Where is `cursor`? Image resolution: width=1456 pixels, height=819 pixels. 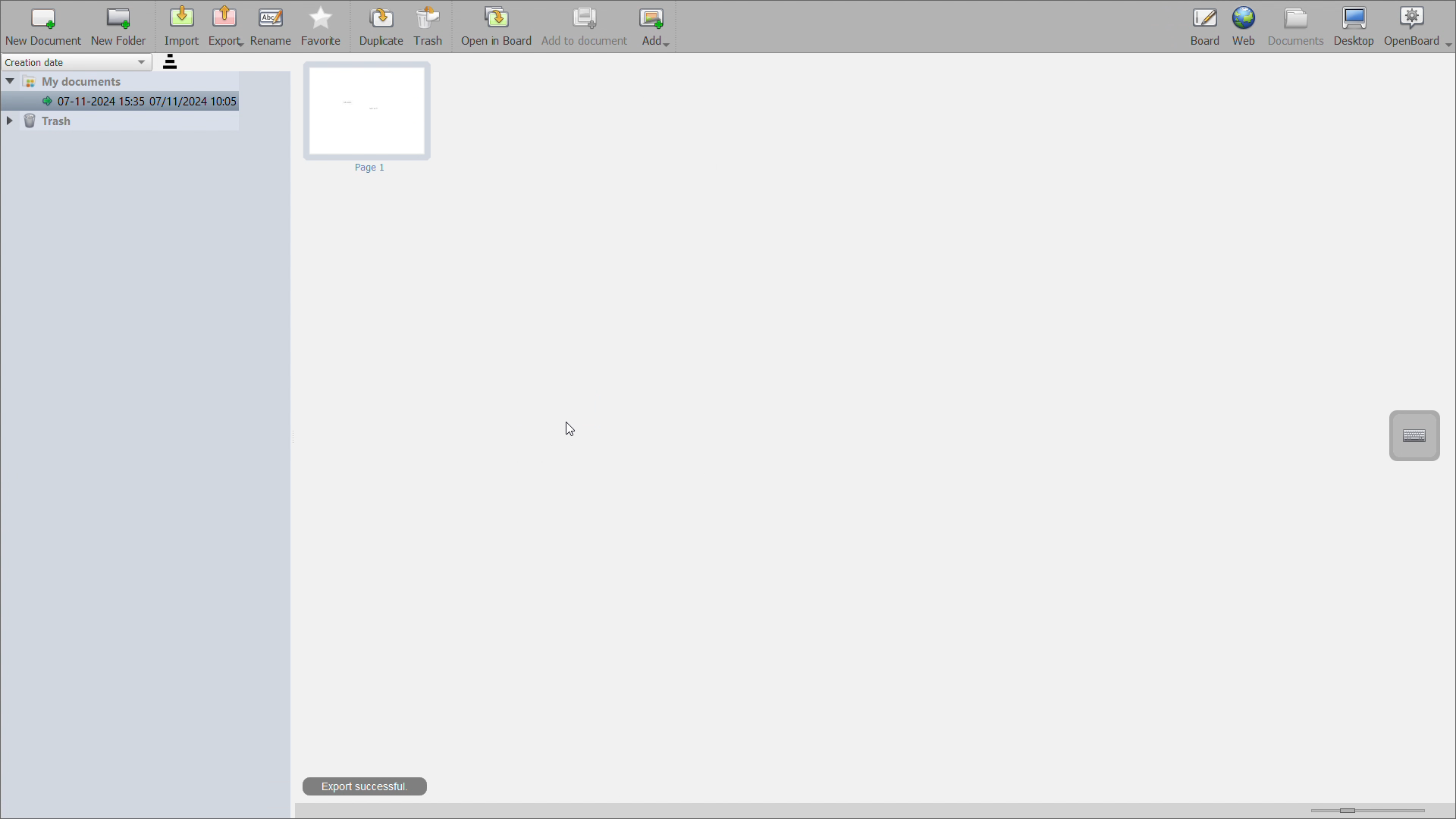
cursor is located at coordinates (576, 428).